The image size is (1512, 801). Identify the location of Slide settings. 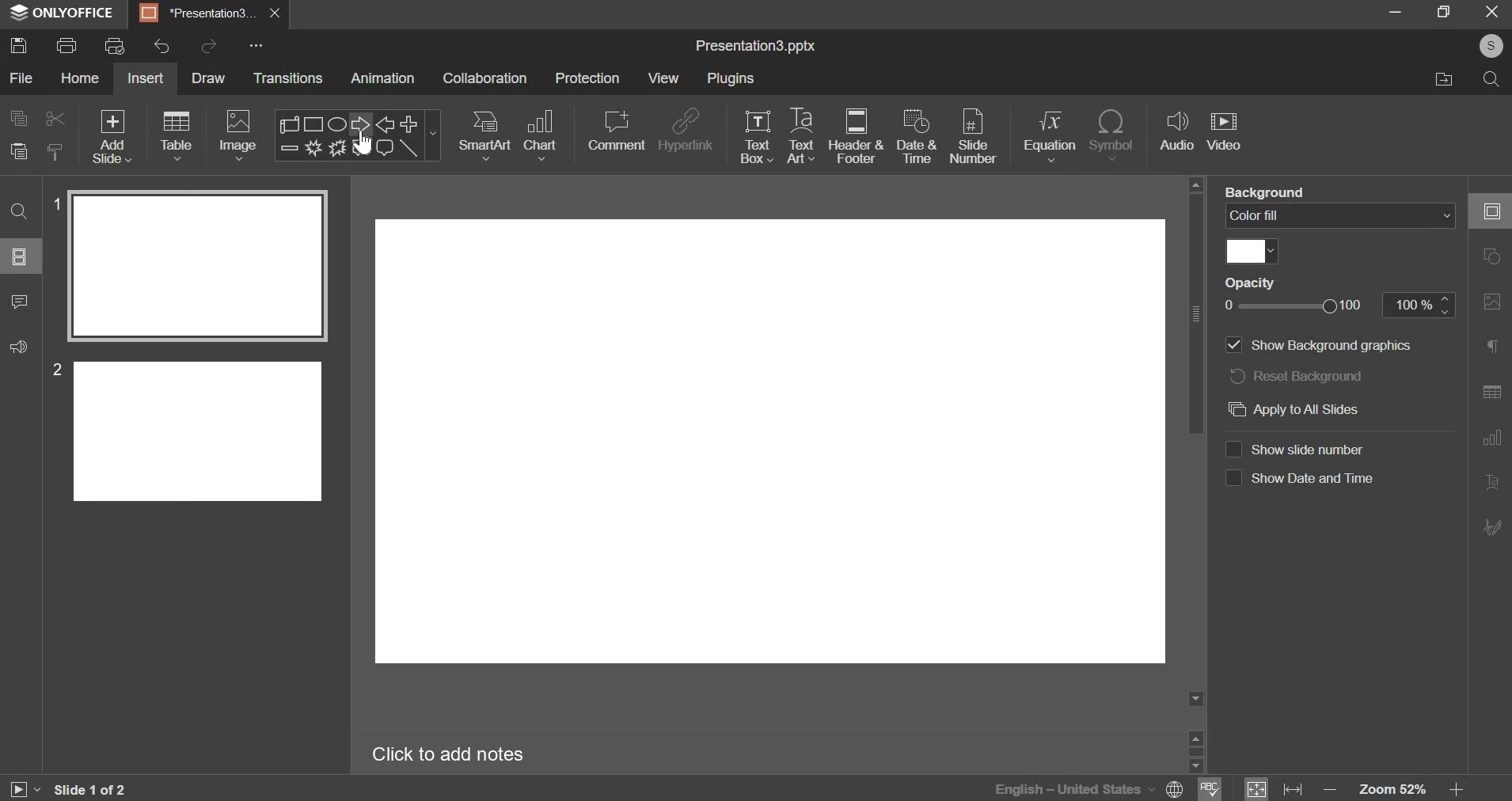
(1491, 211).